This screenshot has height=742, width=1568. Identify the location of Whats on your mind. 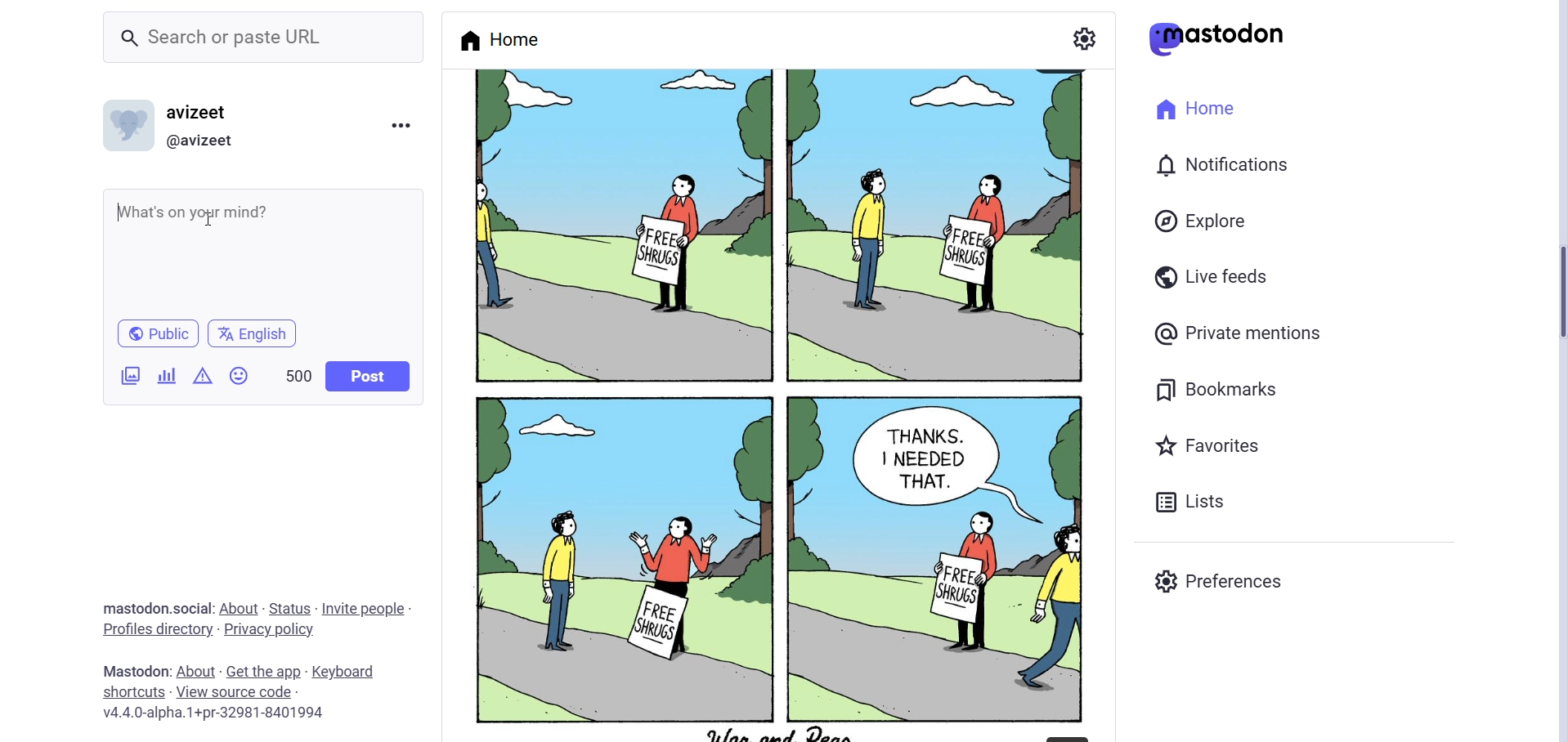
(190, 213).